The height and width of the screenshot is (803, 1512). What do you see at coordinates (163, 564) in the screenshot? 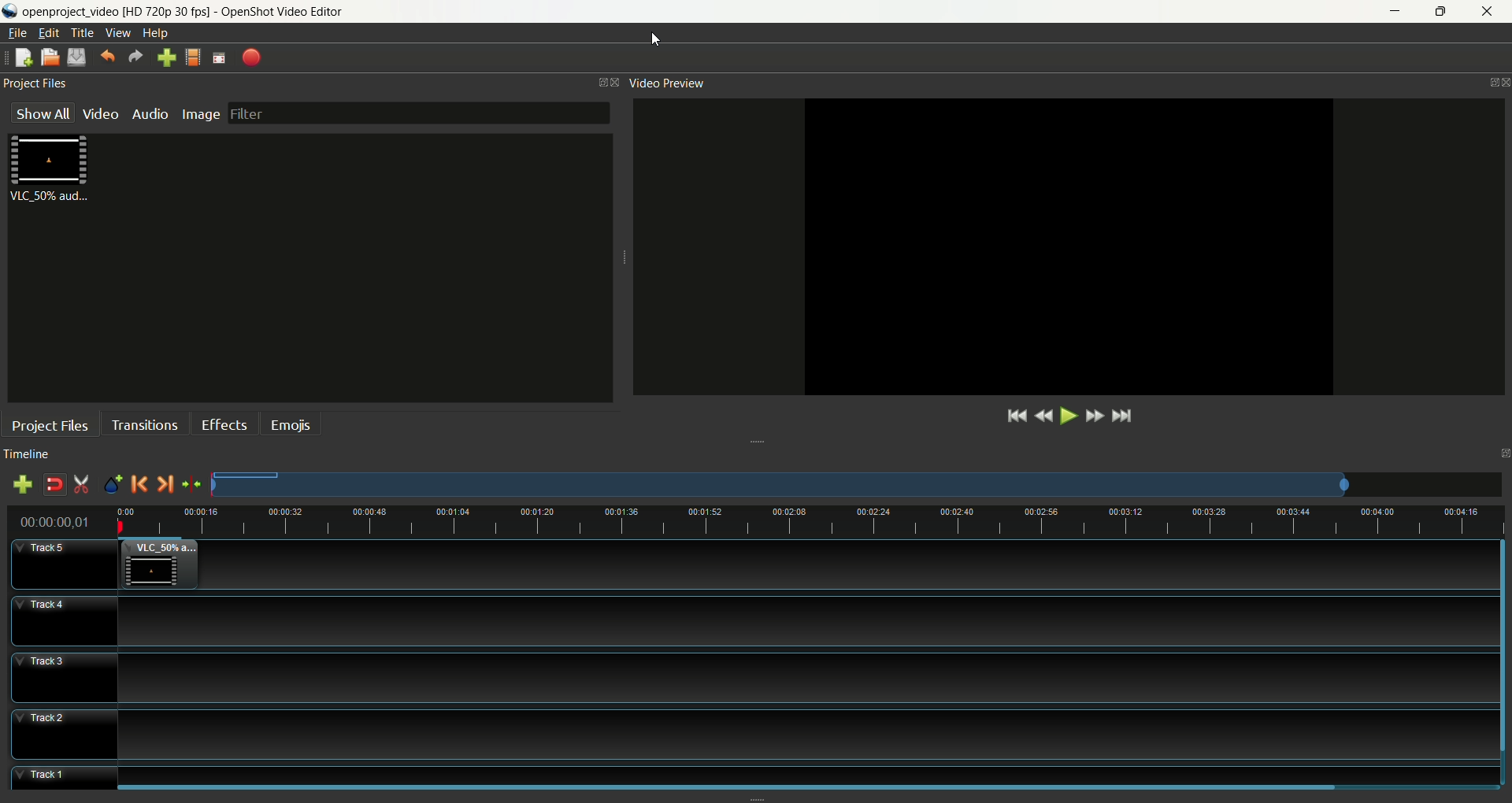
I see `video clip` at bounding box center [163, 564].